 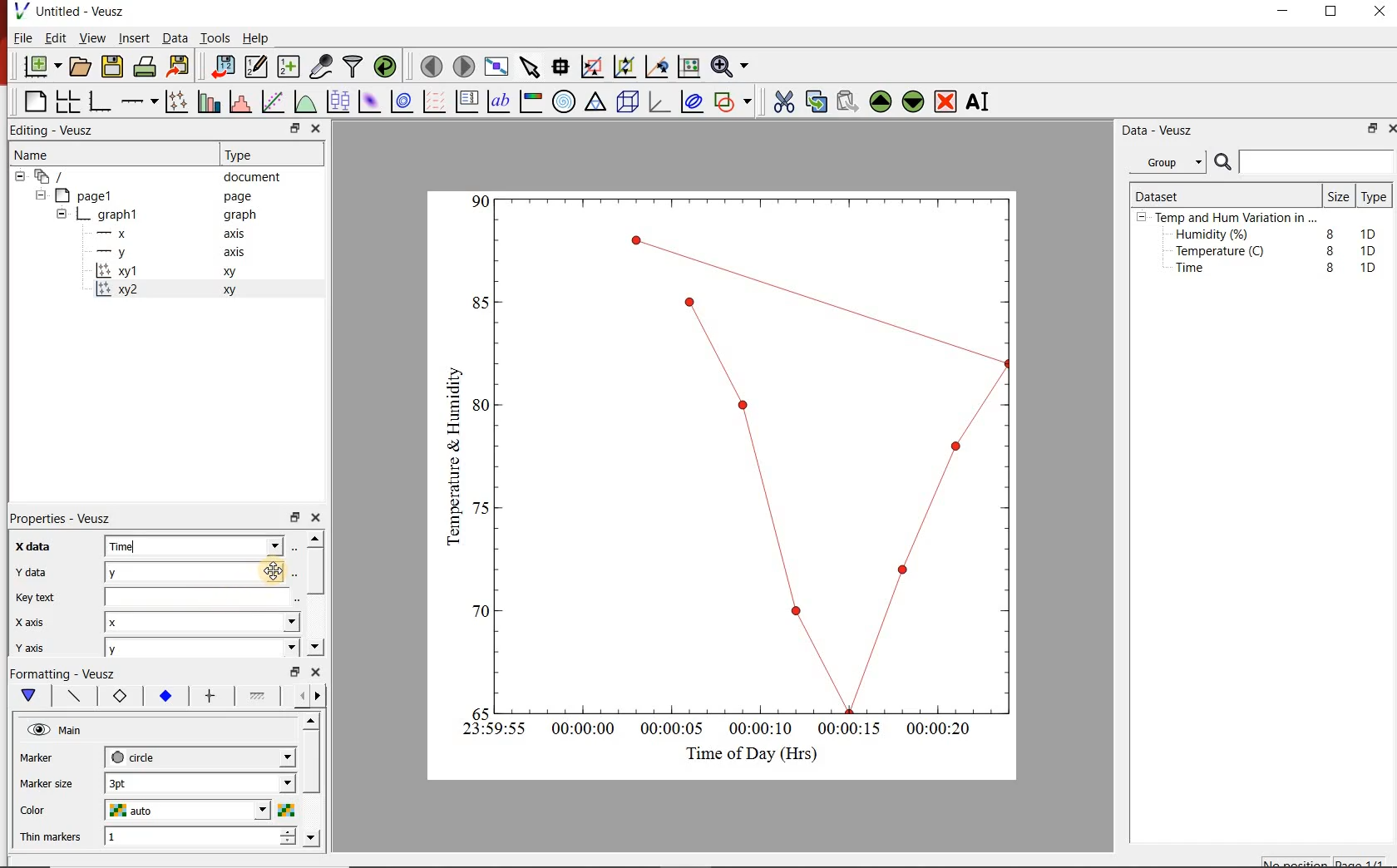 I want to click on move to the next page, so click(x=463, y=66).